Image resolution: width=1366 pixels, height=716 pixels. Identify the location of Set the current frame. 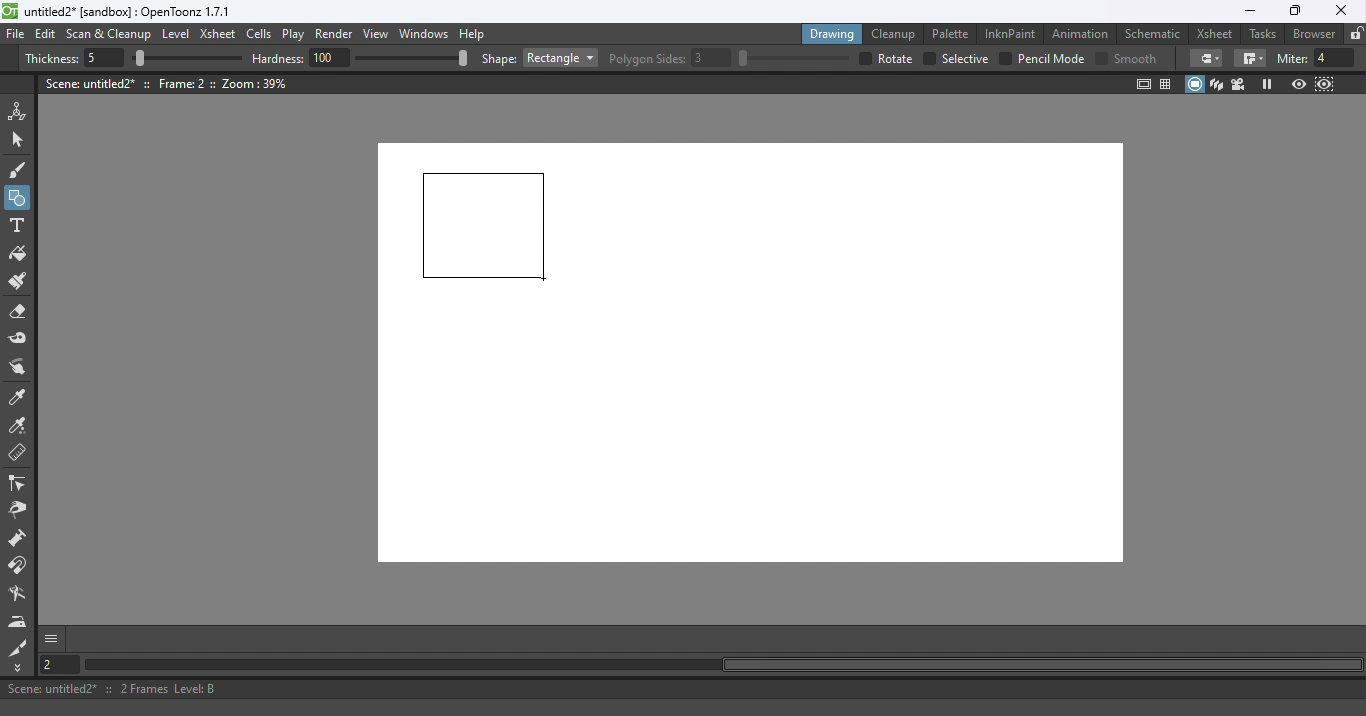
(57, 664).